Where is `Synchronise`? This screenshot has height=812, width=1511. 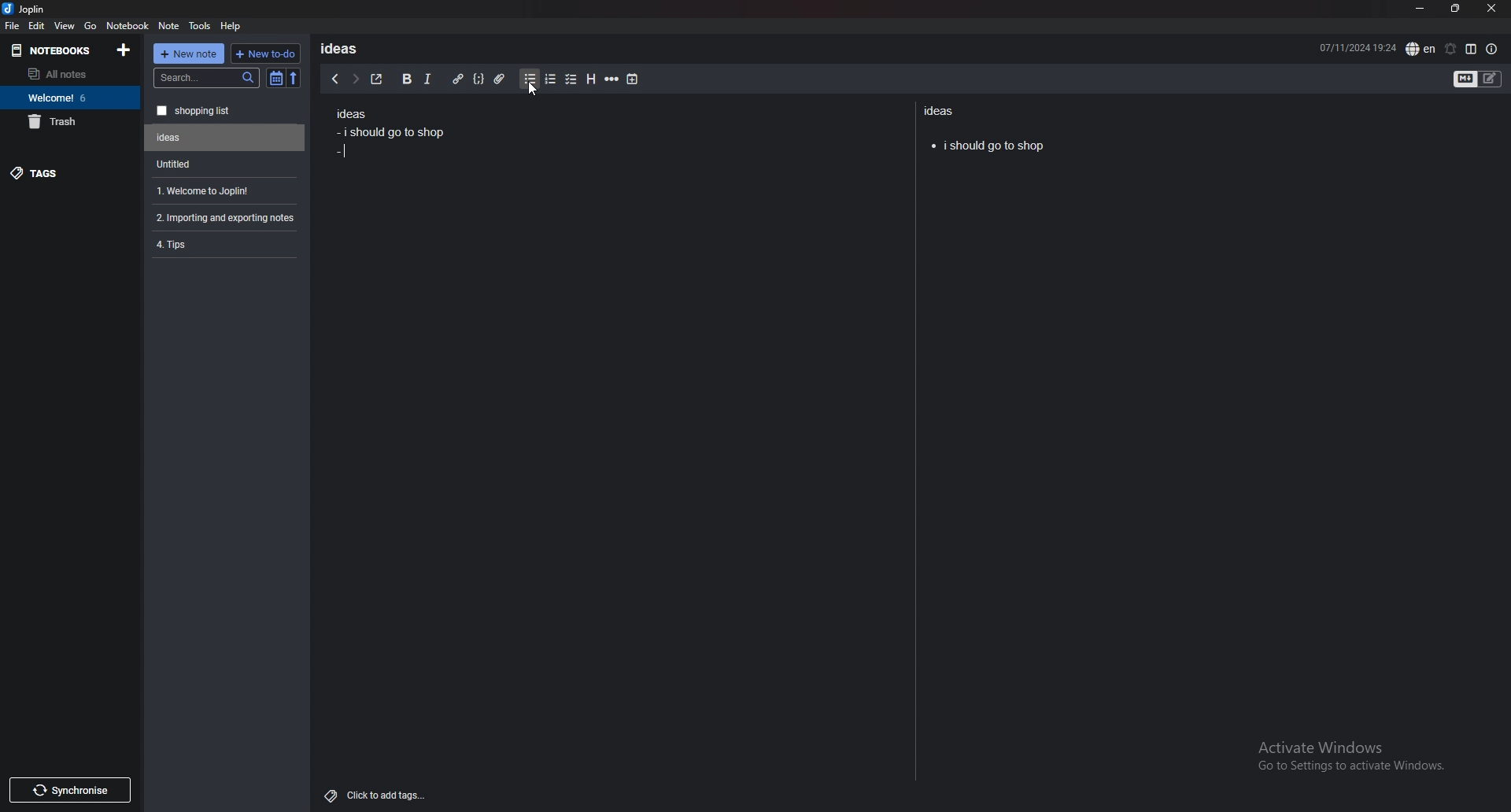
Synchronise is located at coordinates (69, 790).